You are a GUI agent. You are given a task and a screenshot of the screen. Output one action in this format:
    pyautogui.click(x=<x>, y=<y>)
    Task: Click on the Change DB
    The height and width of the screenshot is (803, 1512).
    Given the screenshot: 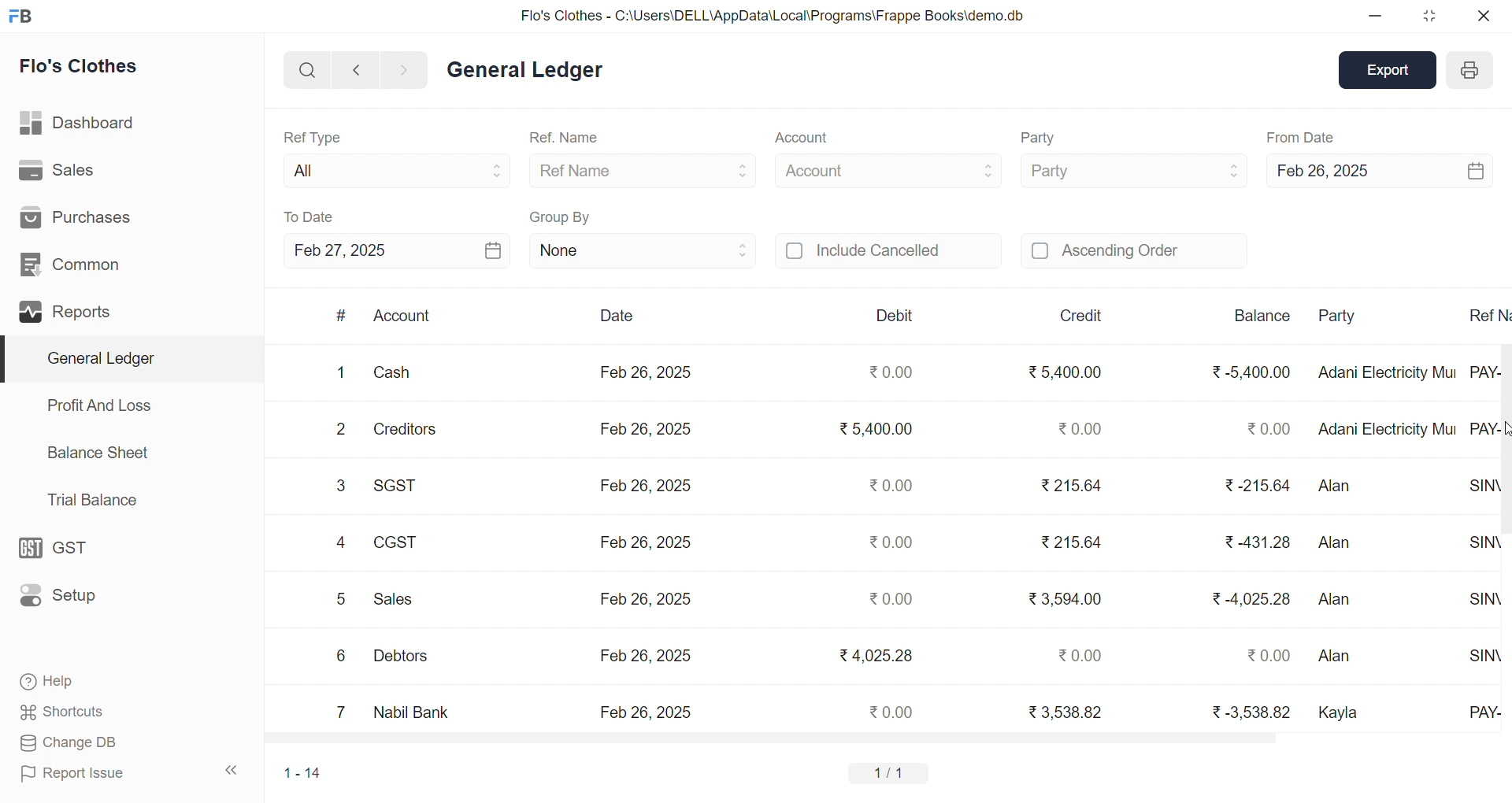 What is the action you would take?
    pyautogui.click(x=66, y=742)
    